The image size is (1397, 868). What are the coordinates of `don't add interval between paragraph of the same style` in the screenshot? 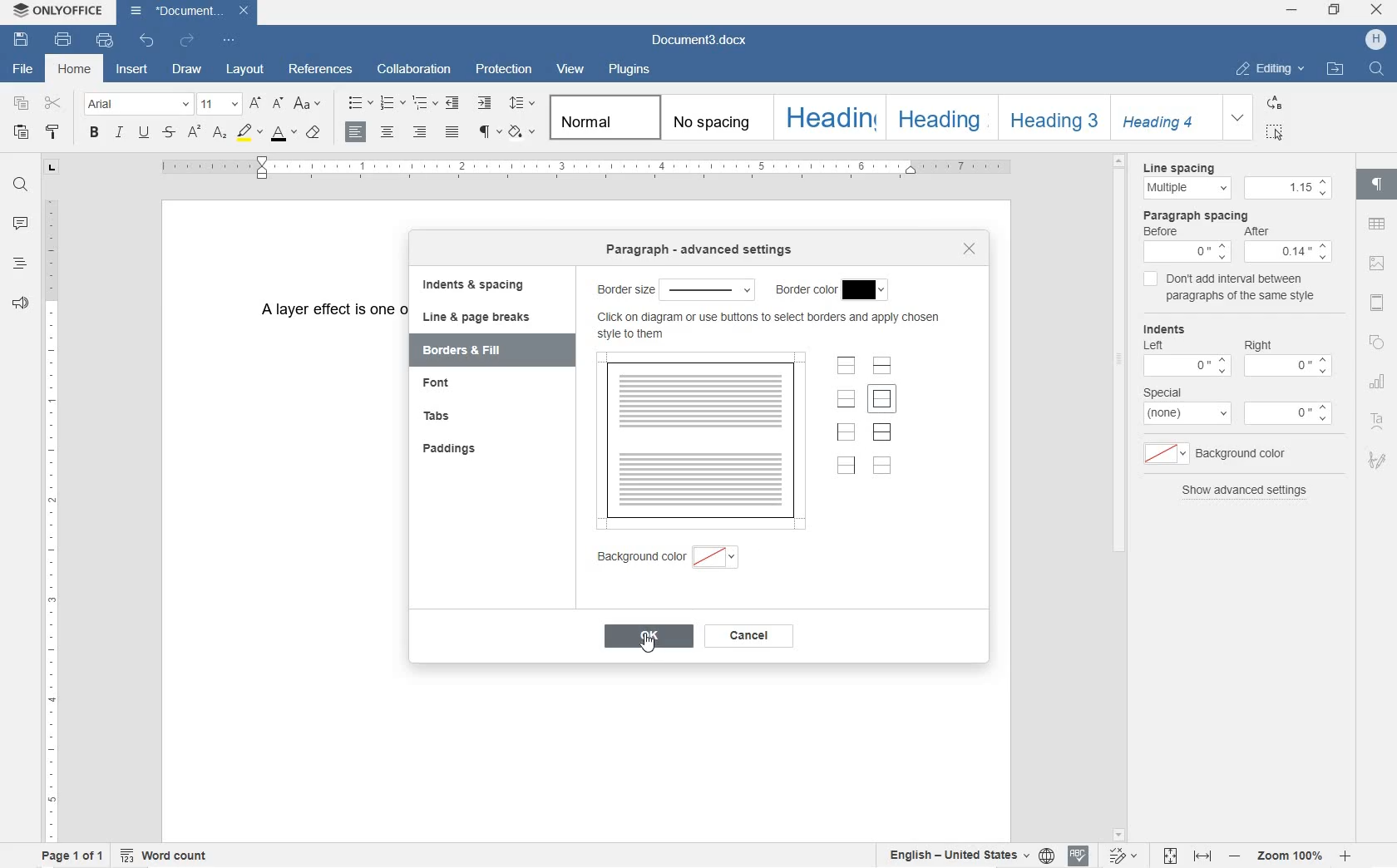 It's located at (1229, 291).